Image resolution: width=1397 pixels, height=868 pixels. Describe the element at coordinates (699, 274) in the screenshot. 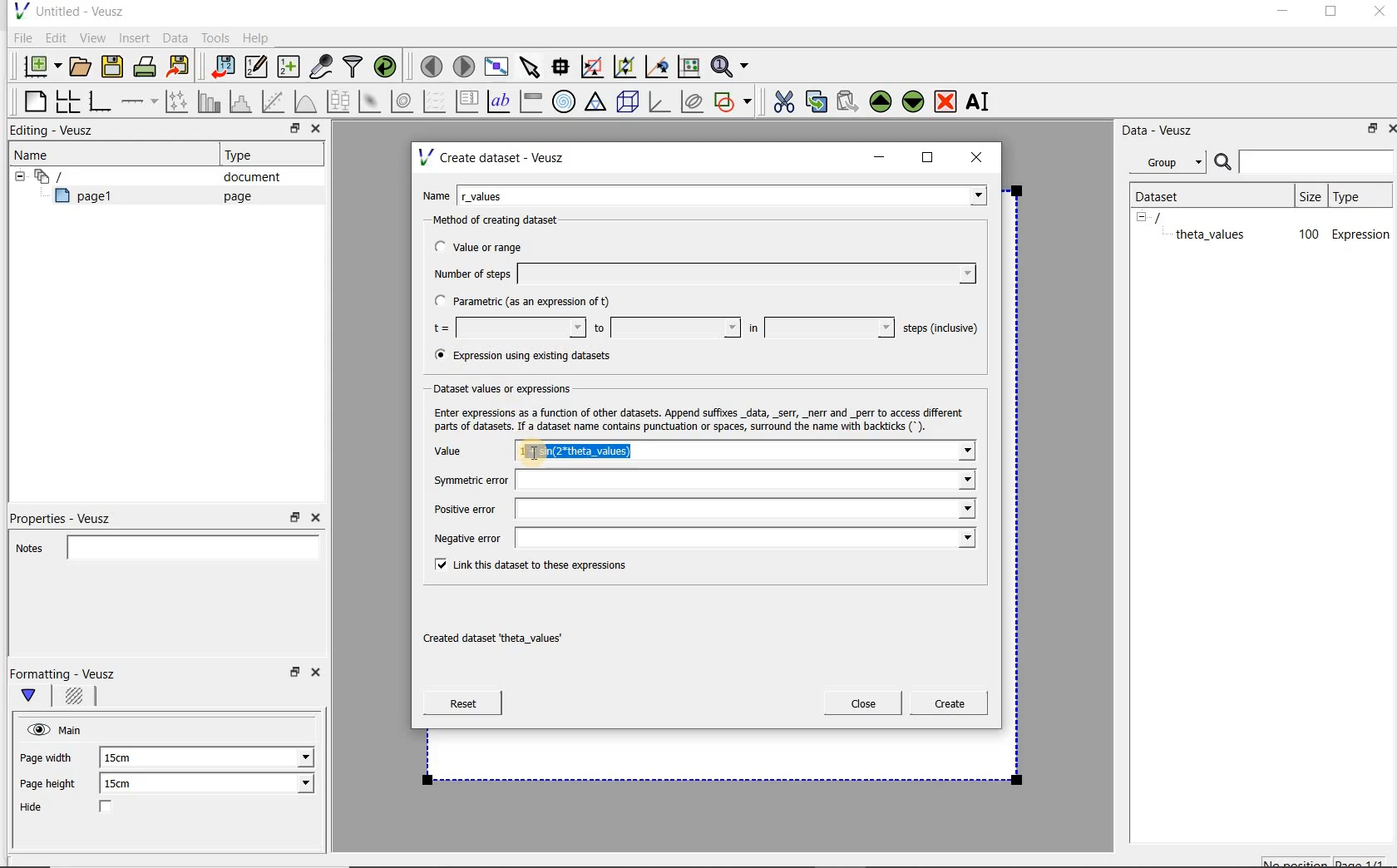

I see `Number of steps` at that location.